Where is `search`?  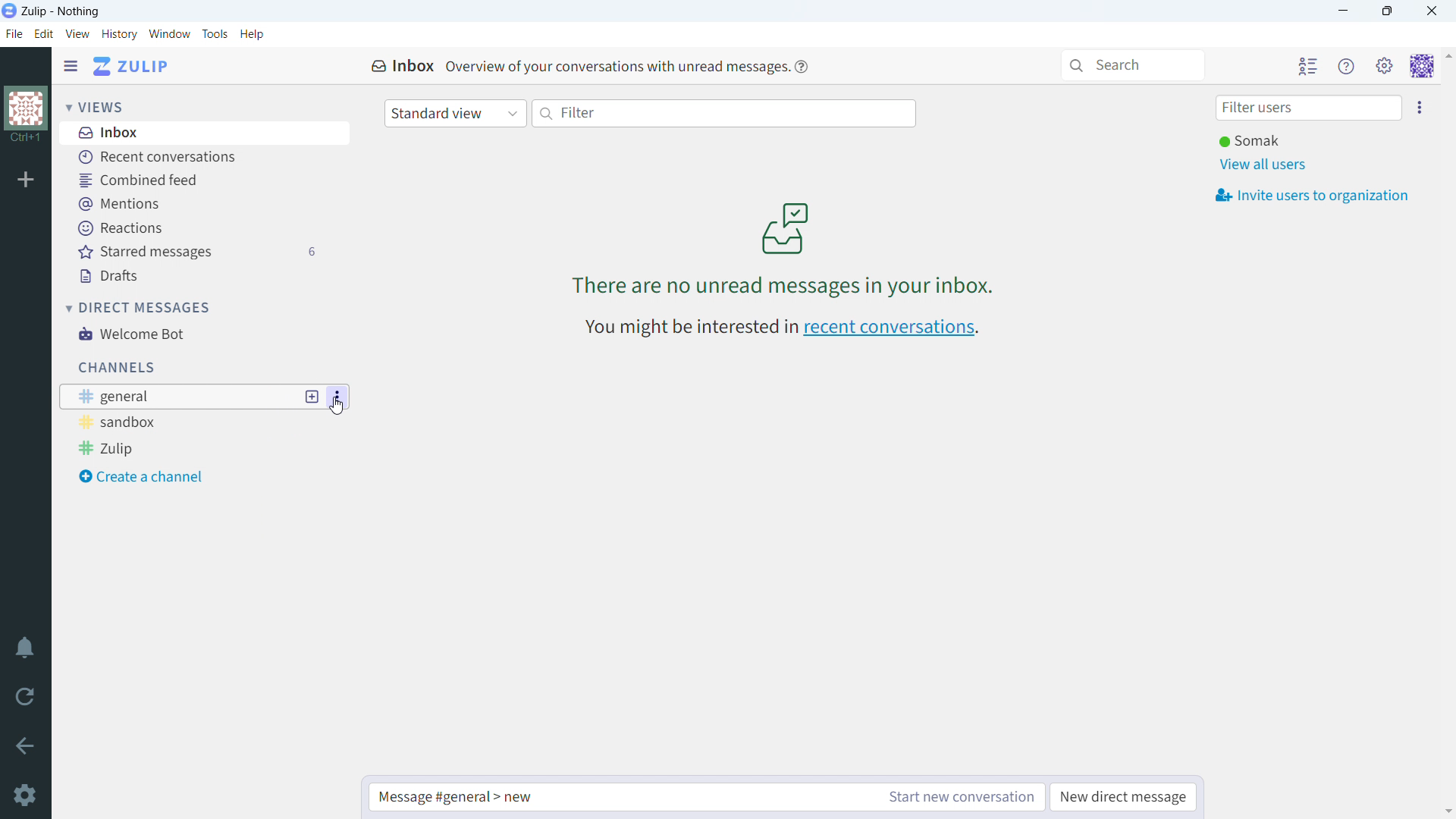 search is located at coordinates (1132, 65).